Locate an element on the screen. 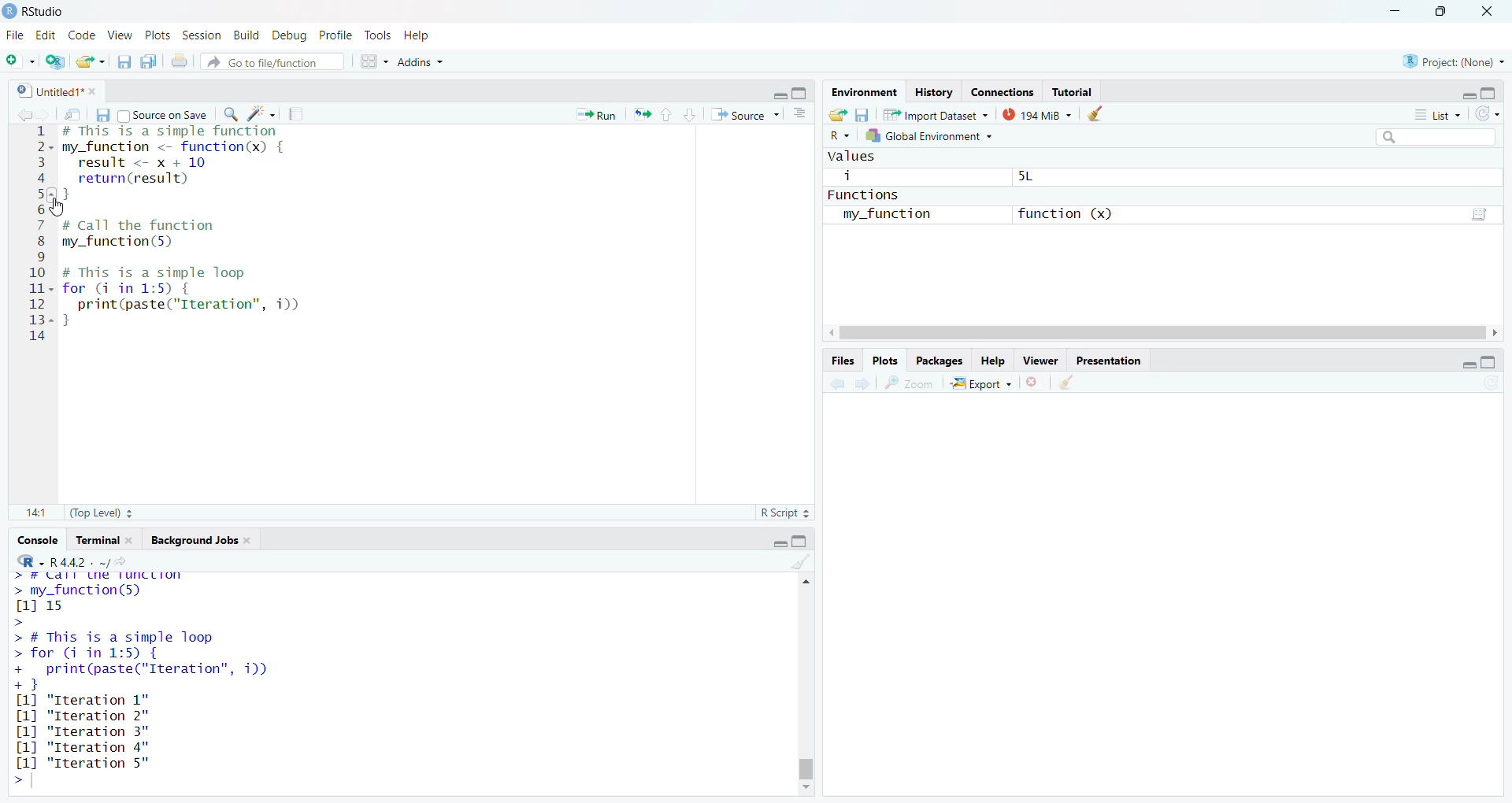  terminal is located at coordinates (96, 540).